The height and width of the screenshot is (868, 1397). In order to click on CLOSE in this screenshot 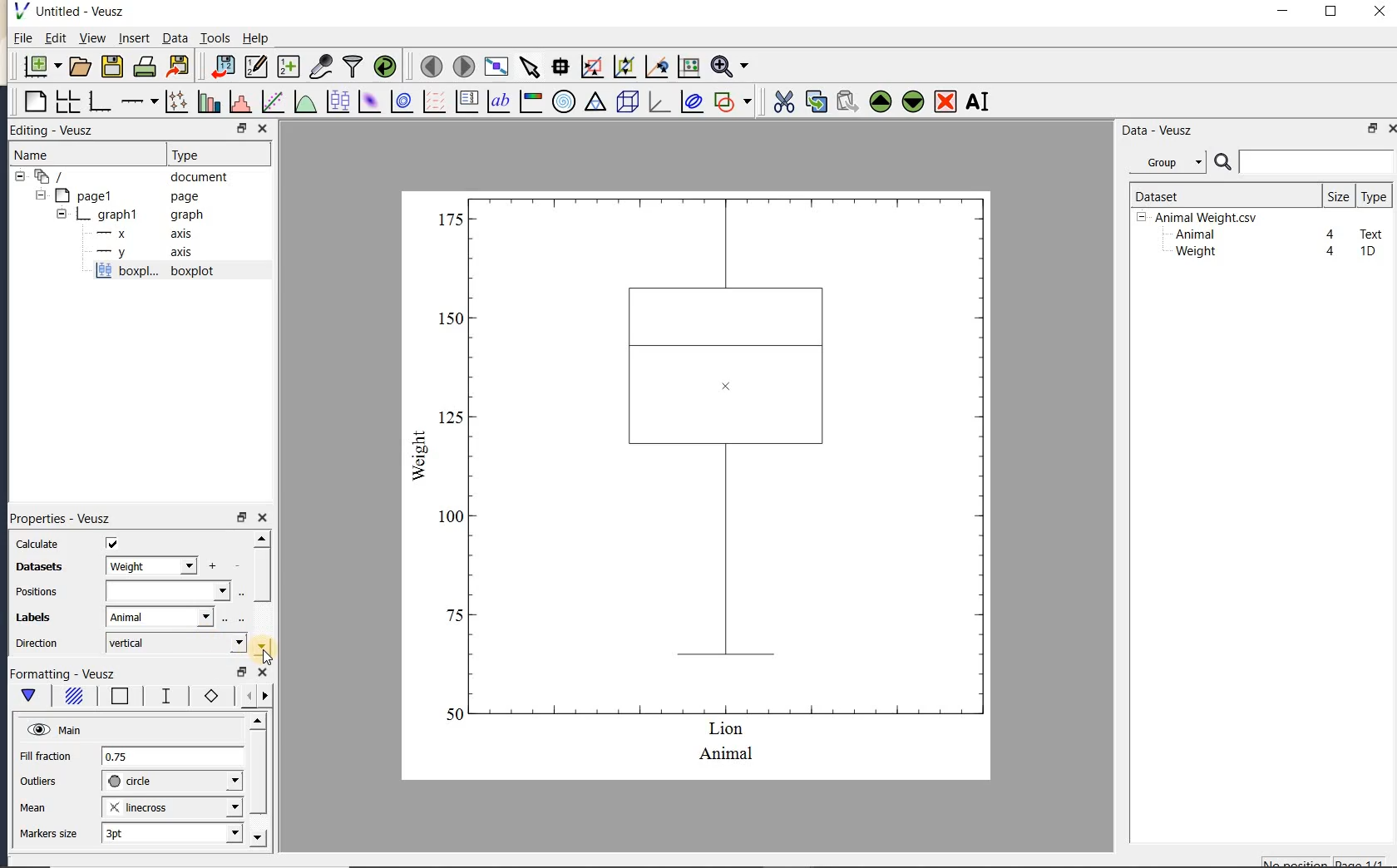, I will do `click(262, 128)`.